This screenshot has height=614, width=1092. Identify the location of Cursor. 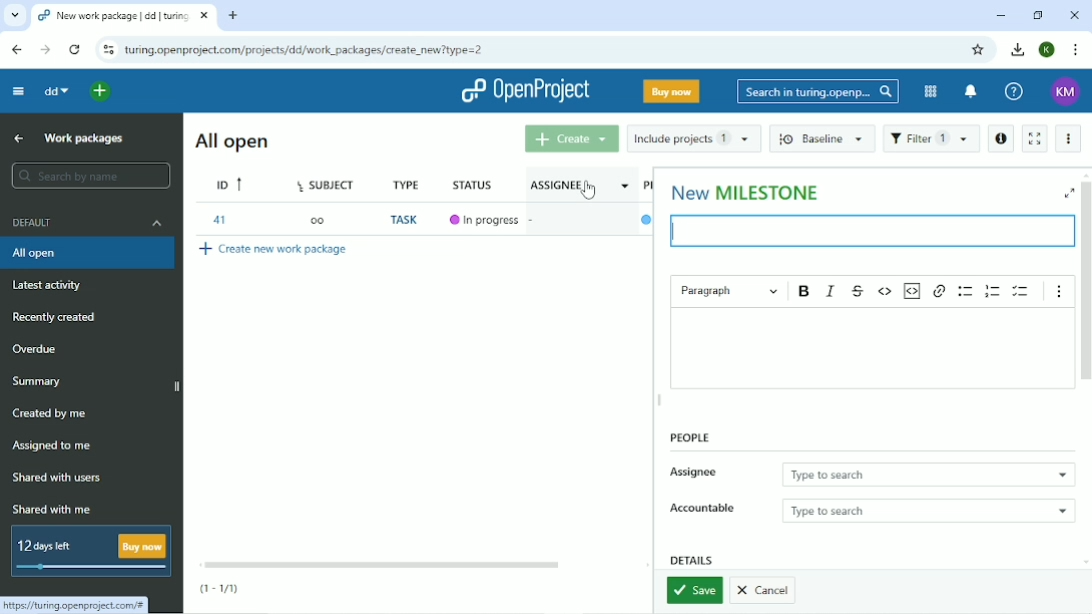
(587, 190).